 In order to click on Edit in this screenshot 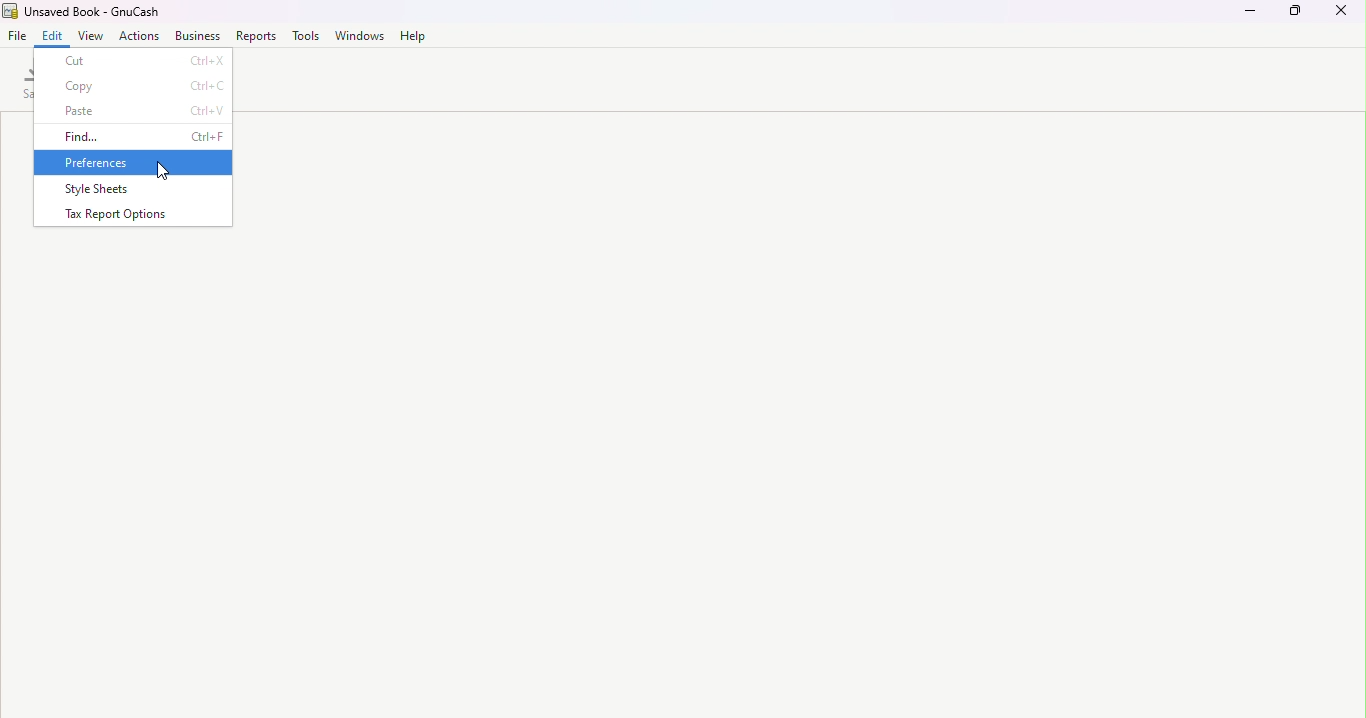, I will do `click(56, 38)`.